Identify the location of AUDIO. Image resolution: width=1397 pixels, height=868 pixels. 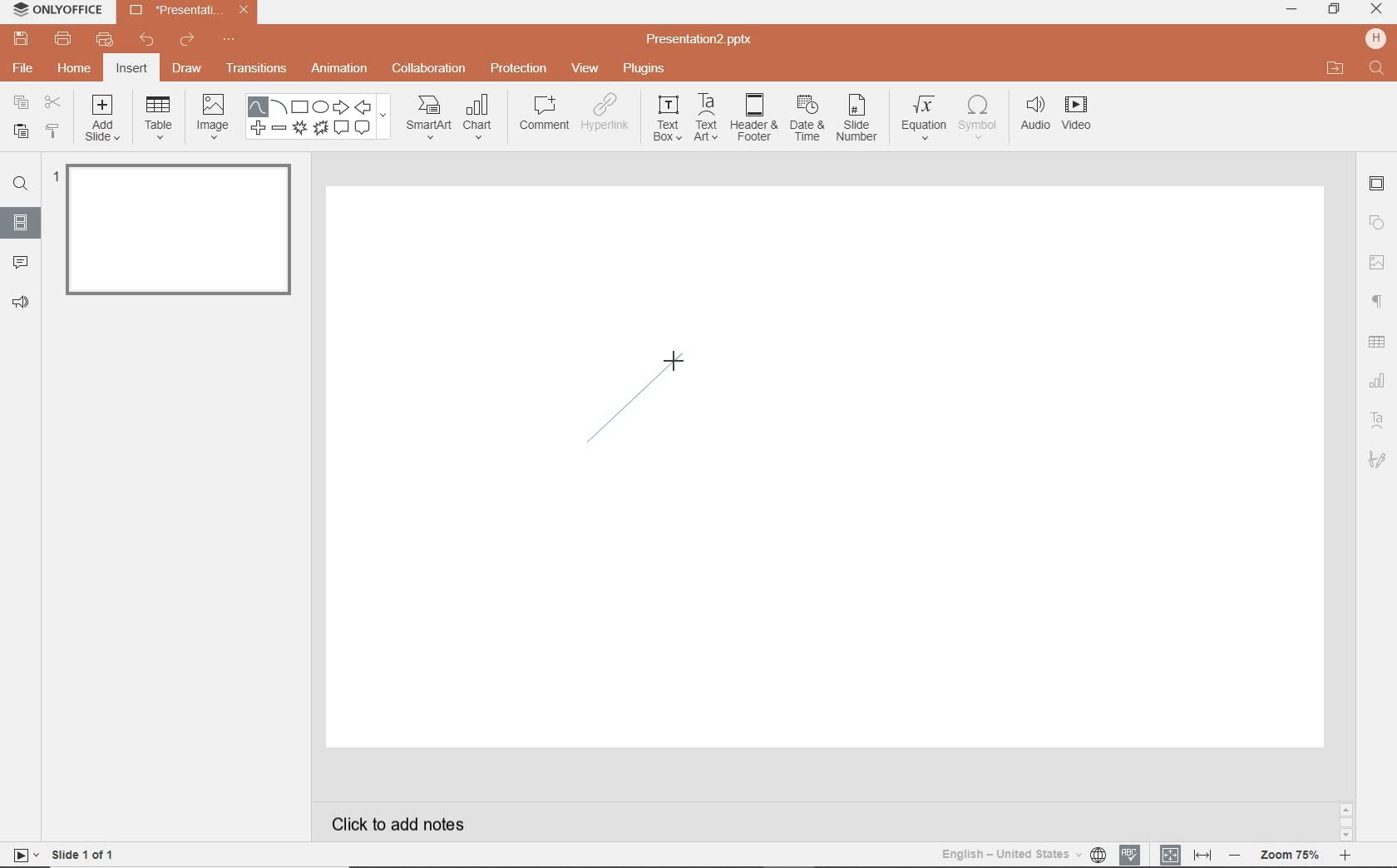
(1036, 114).